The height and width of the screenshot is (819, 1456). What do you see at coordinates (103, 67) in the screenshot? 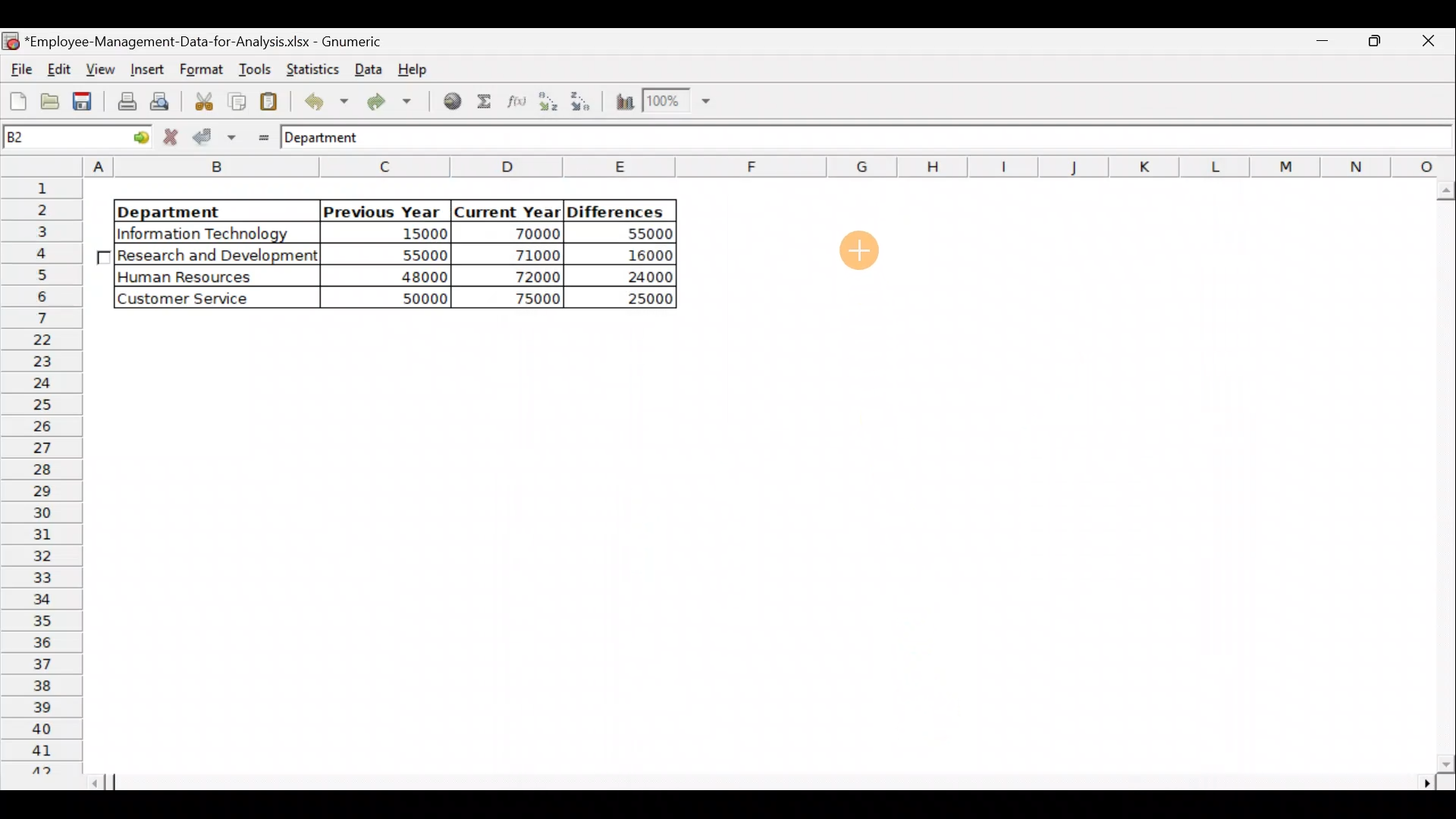
I see `View` at bounding box center [103, 67].